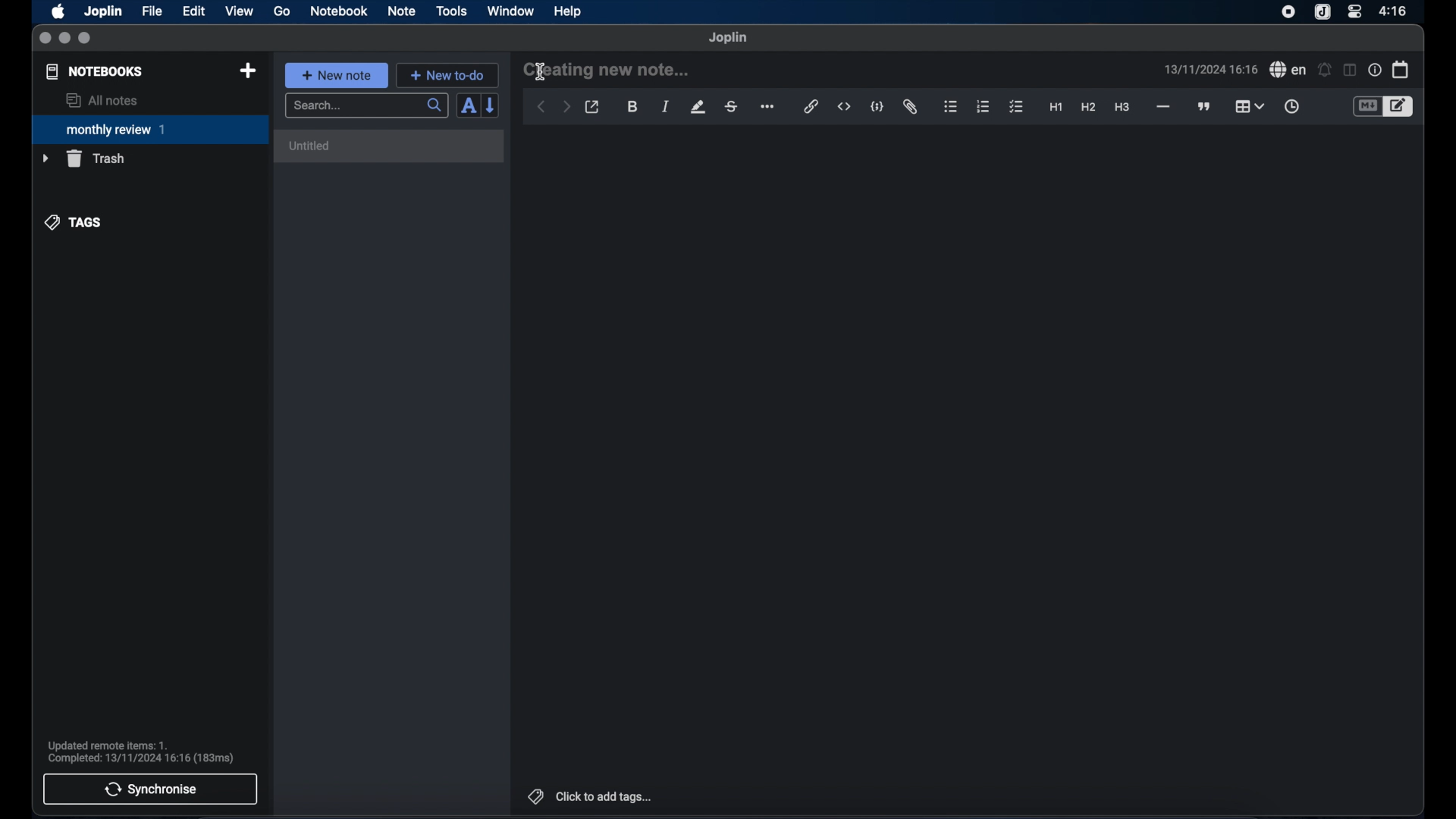  What do you see at coordinates (591, 796) in the screenshot?
I see `click to add tags` at bounding box center [591, 796].